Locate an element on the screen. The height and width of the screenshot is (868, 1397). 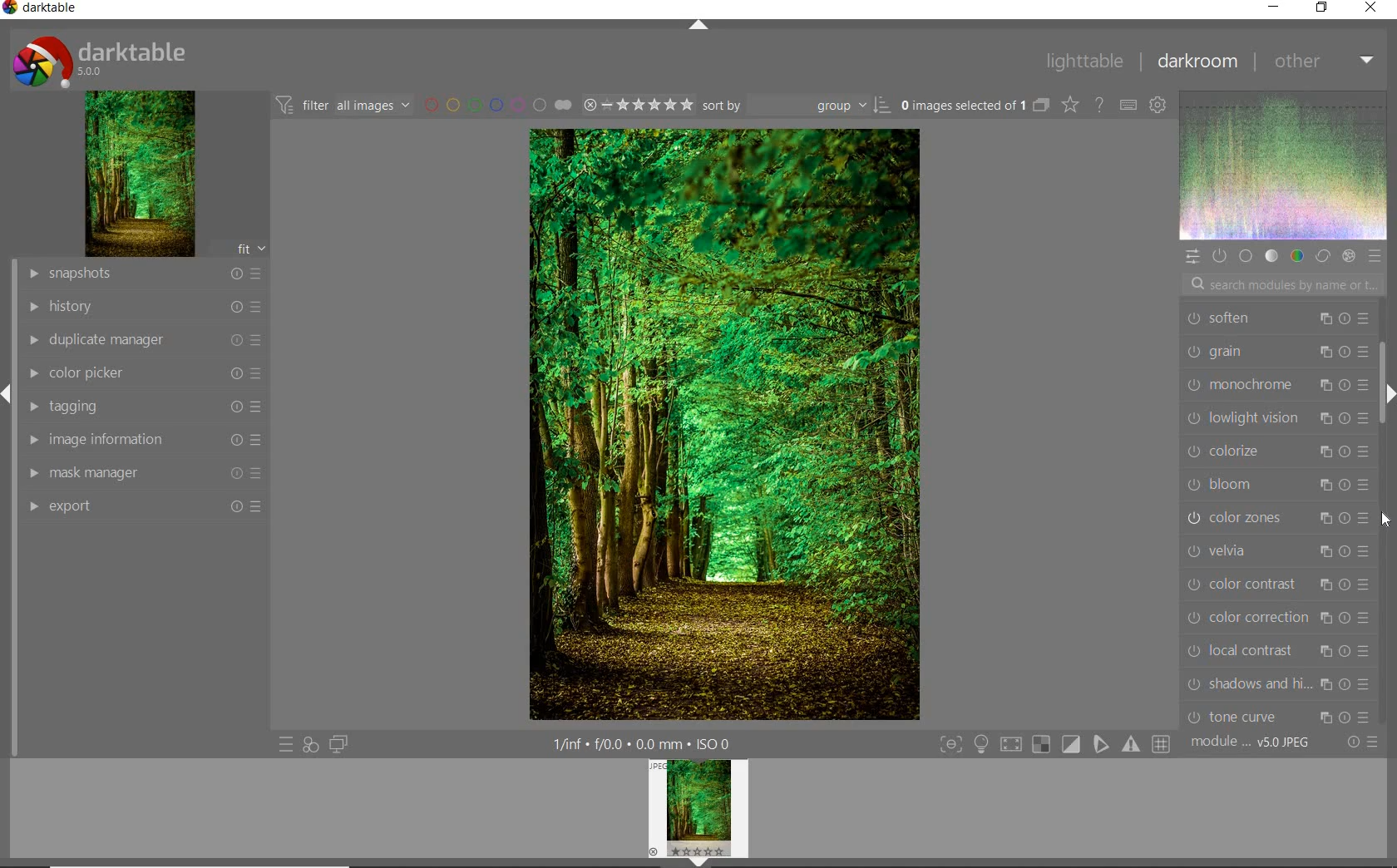
SCROLLBAR is located at coordinates (1386, 361).